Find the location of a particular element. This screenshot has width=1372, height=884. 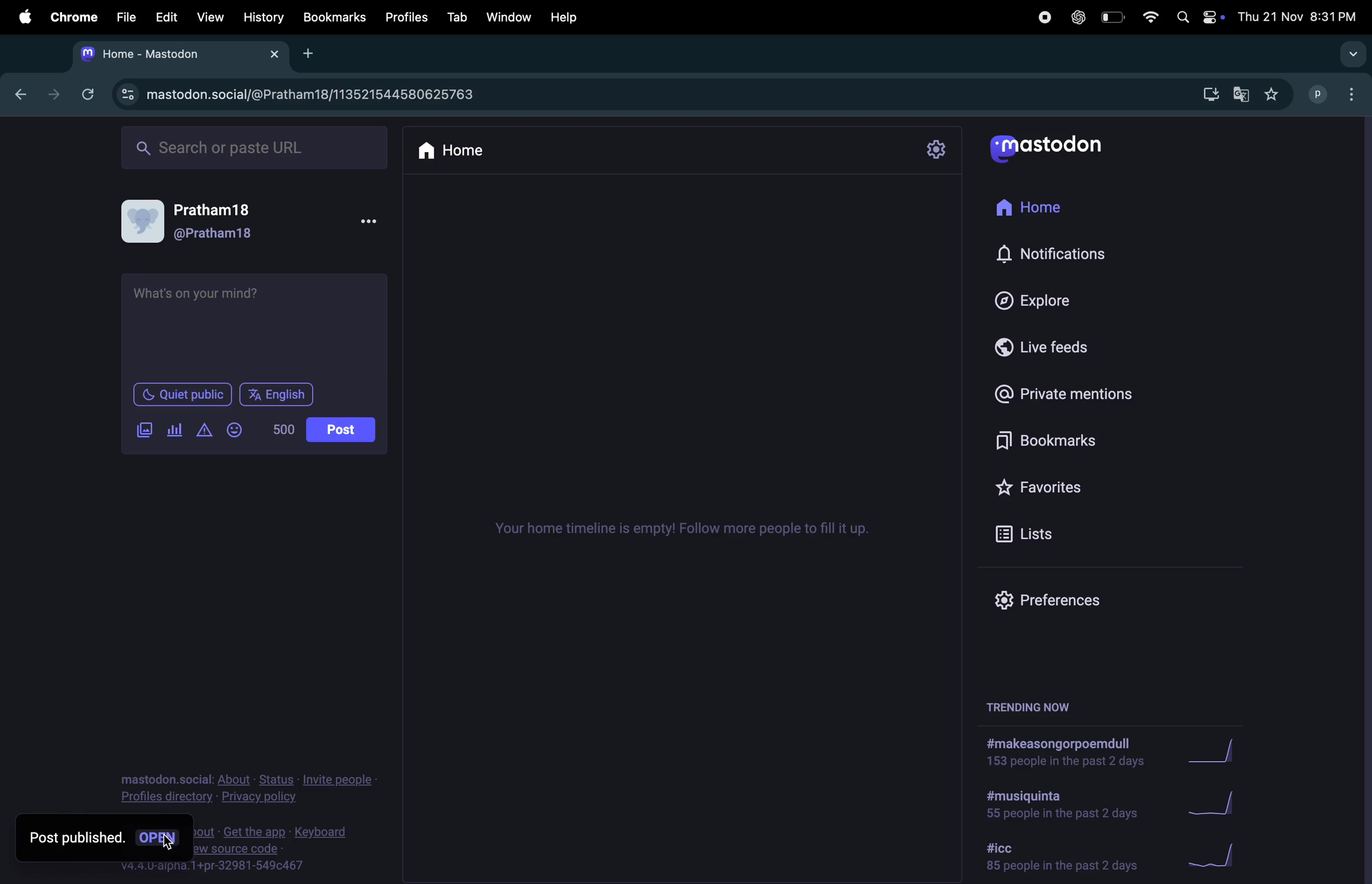

words is located at coordinates (285, 429).